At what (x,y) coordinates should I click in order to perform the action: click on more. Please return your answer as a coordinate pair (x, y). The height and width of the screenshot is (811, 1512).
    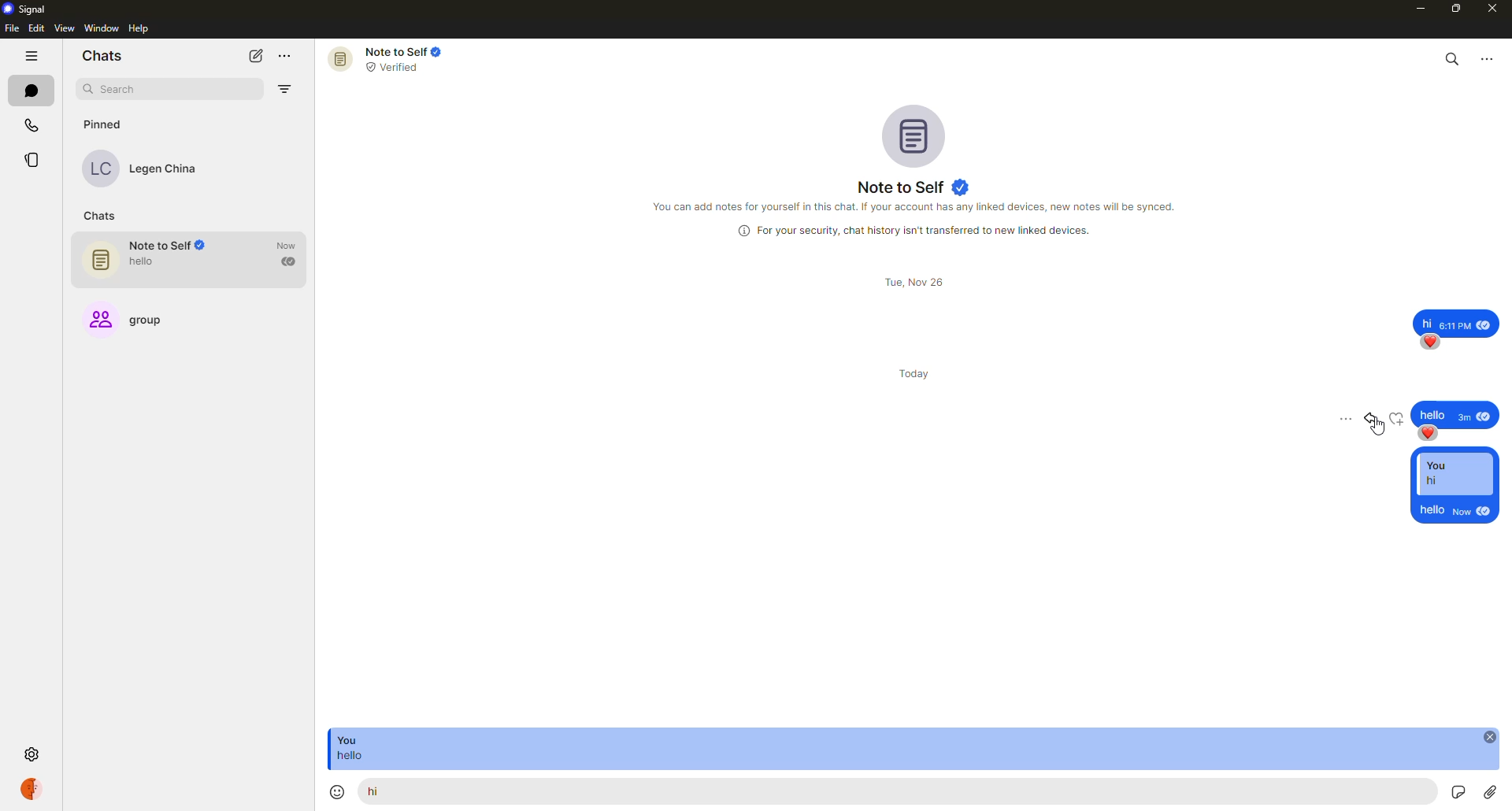
    Looking at the image, I should click on (1349, 422).